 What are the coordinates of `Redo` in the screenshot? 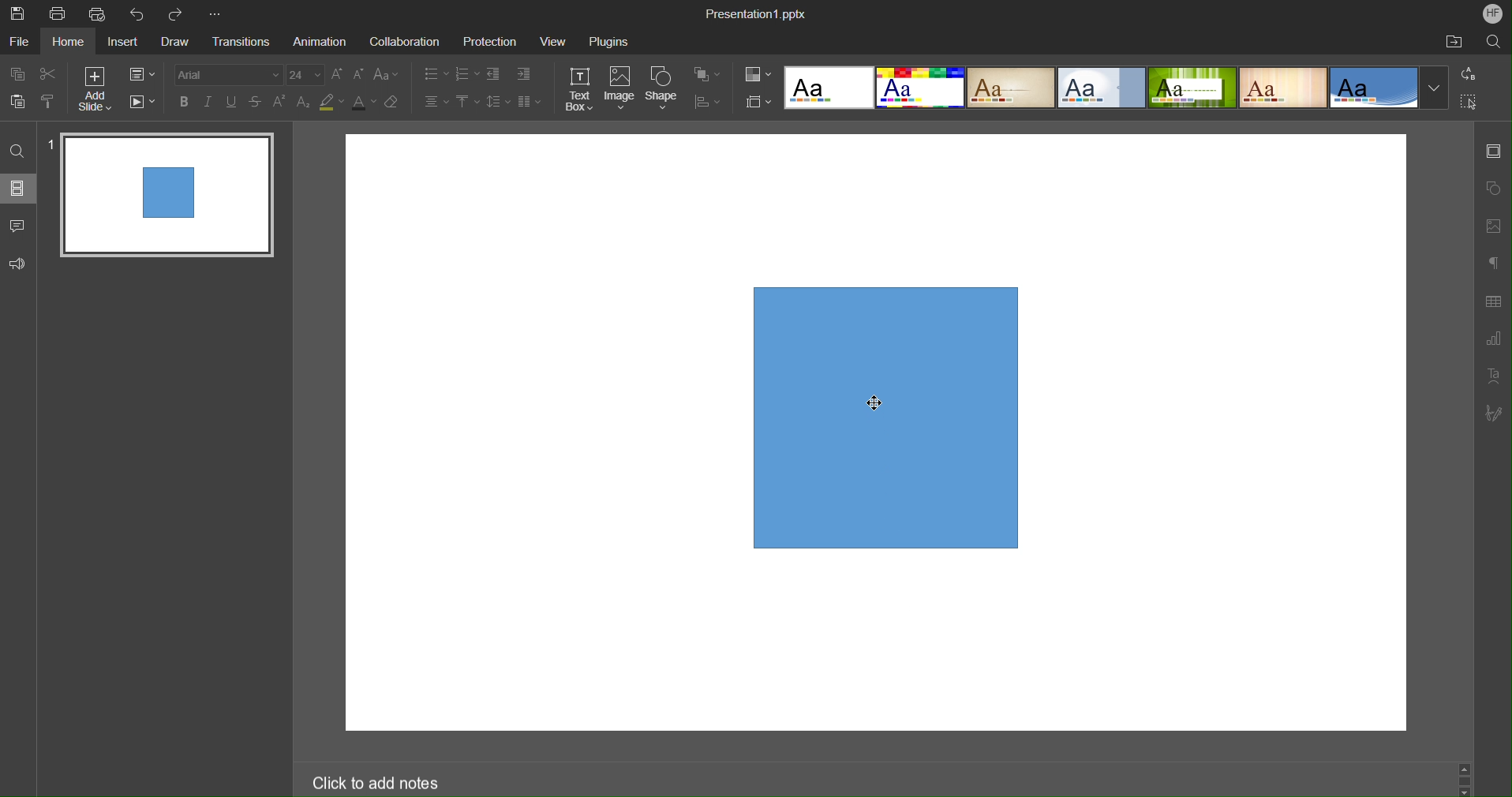 It's located at (176, 11).